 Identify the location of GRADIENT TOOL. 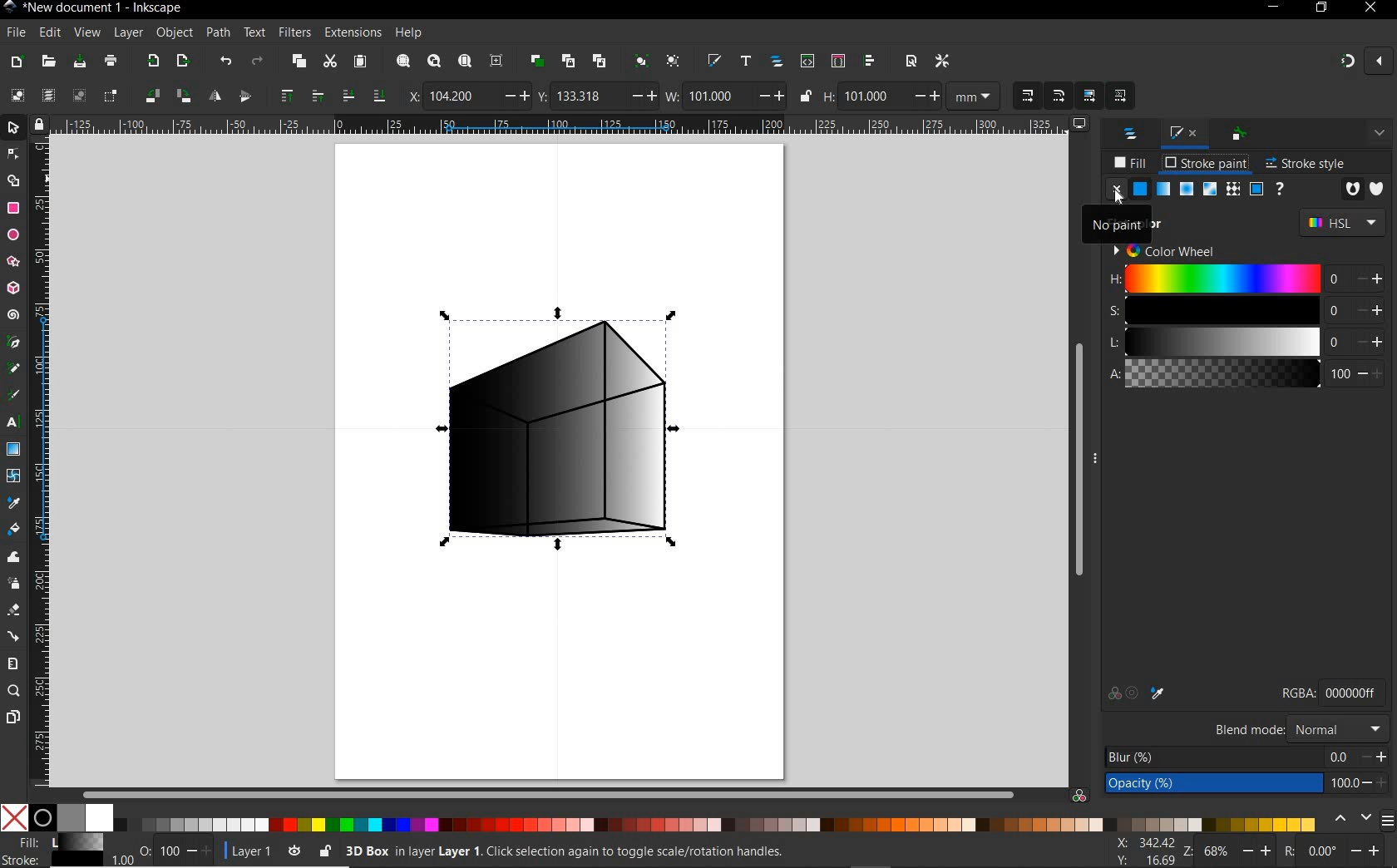
(12, 449).